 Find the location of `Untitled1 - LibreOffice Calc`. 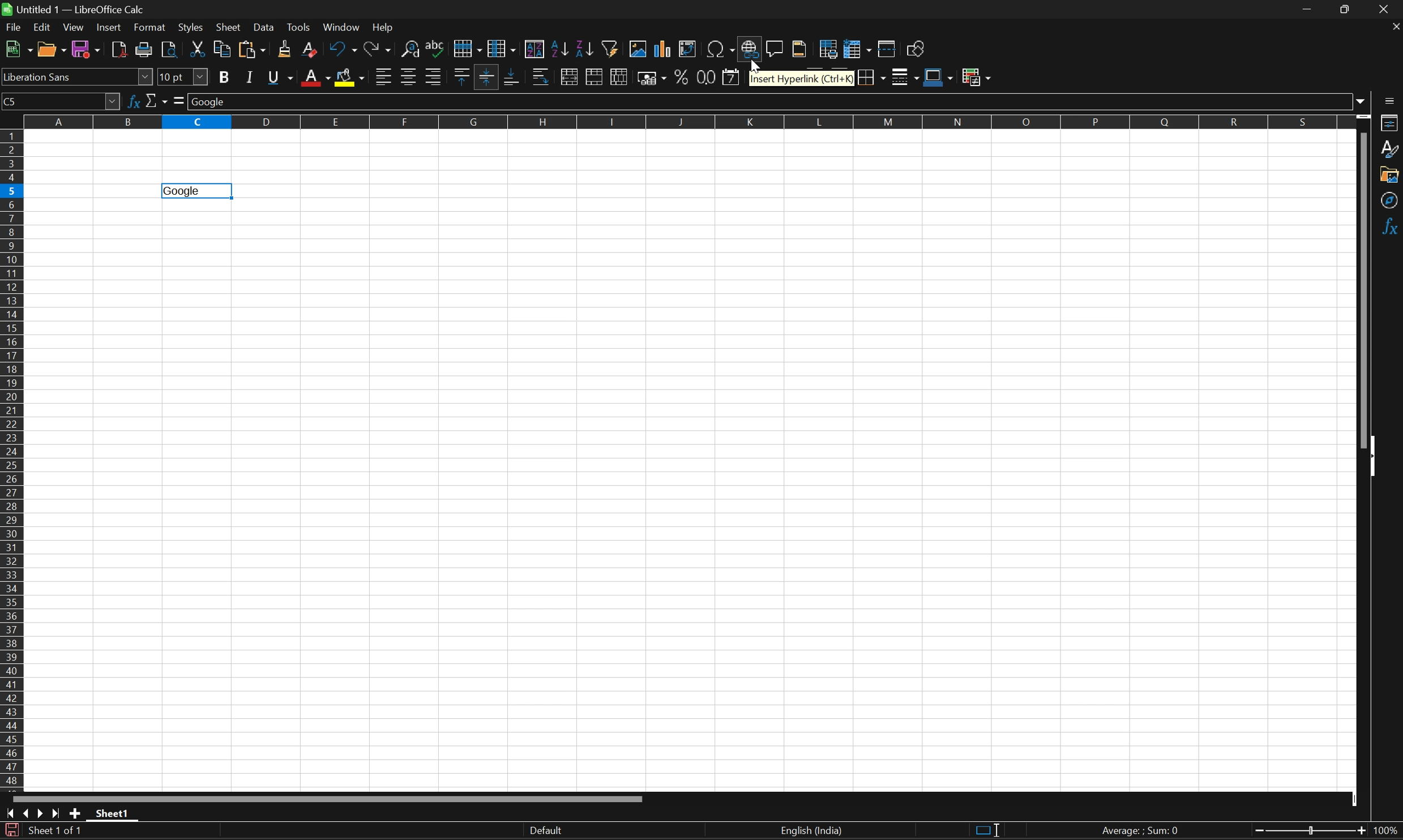

Untitled1 - LibreOffice Calc is located at coordinates (74, 8).